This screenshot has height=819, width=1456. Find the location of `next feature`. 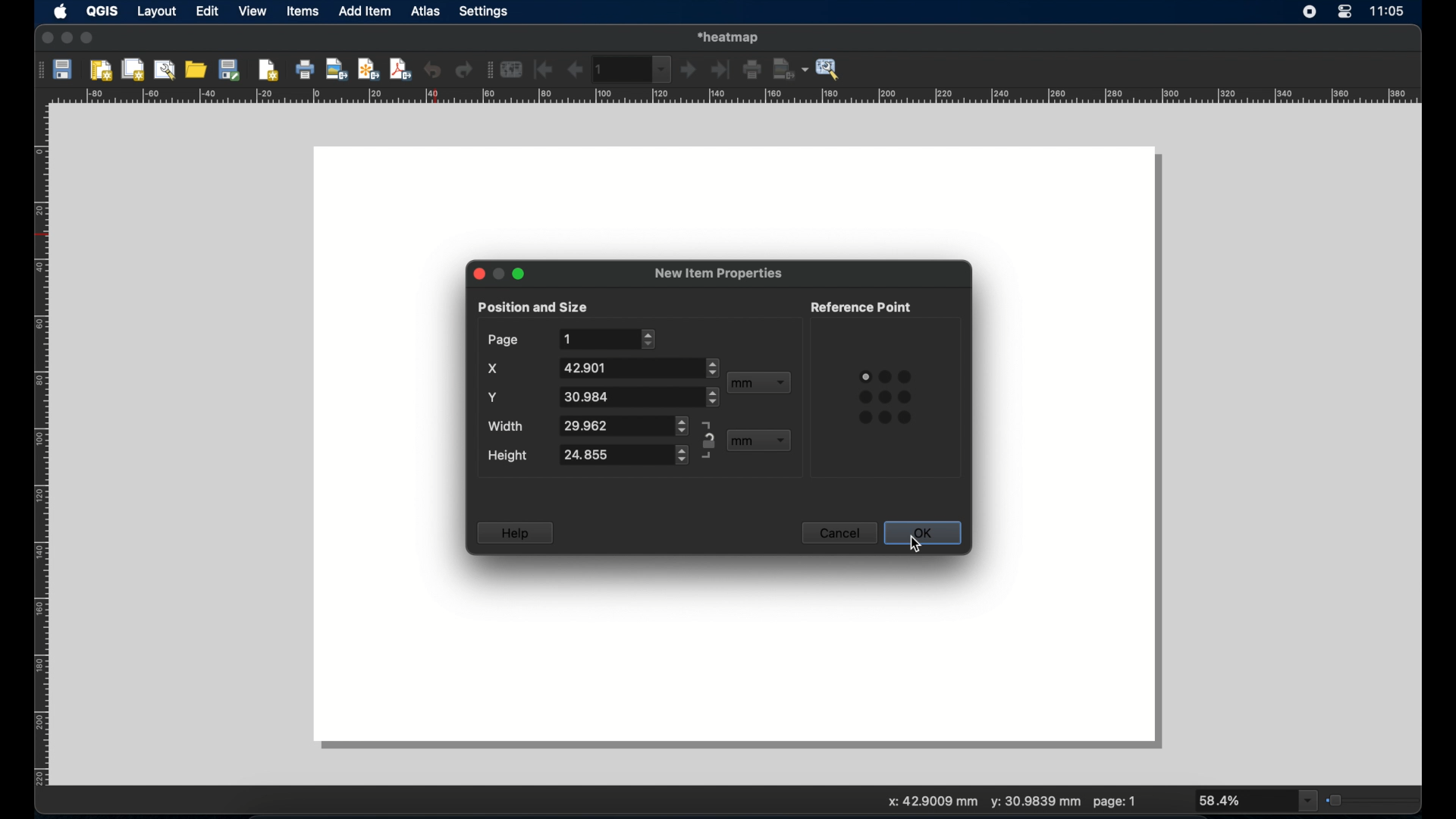

next feature is located at coordinates (689, 71).